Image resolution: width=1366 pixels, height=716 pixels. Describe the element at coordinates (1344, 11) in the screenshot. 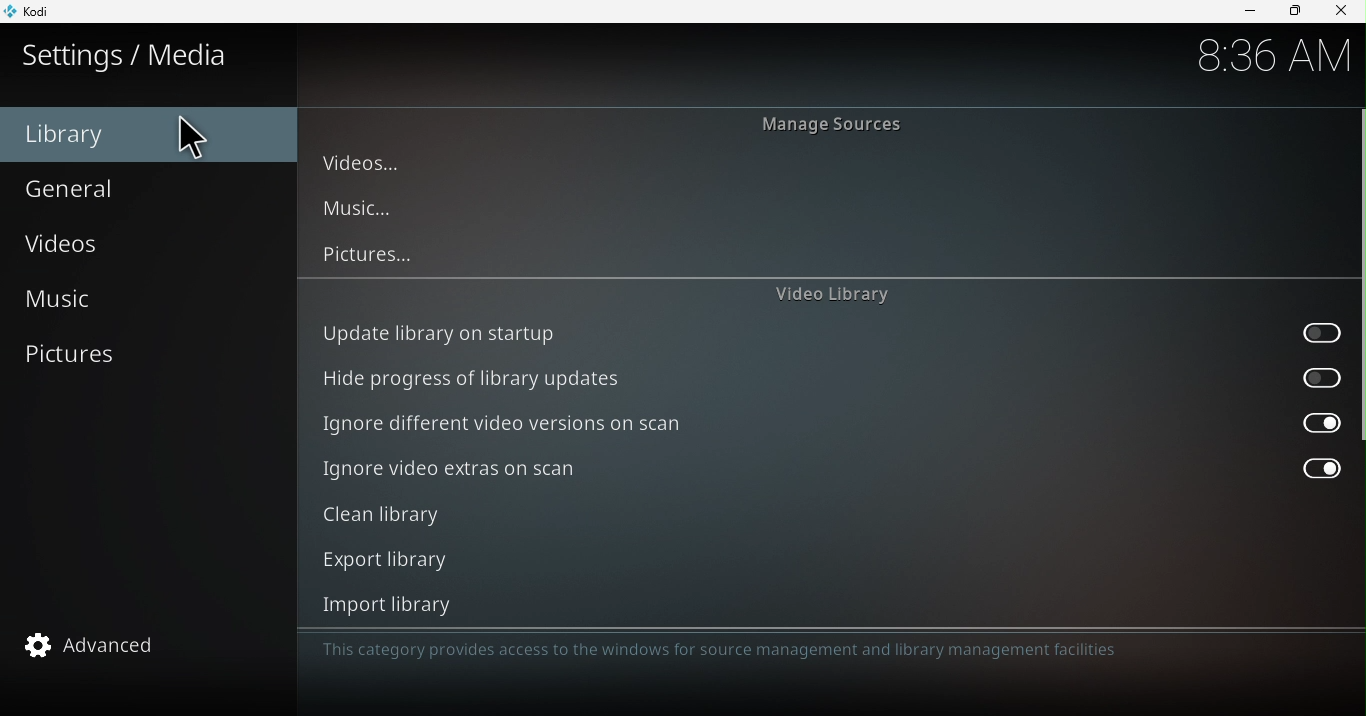

I see `close` at that location.